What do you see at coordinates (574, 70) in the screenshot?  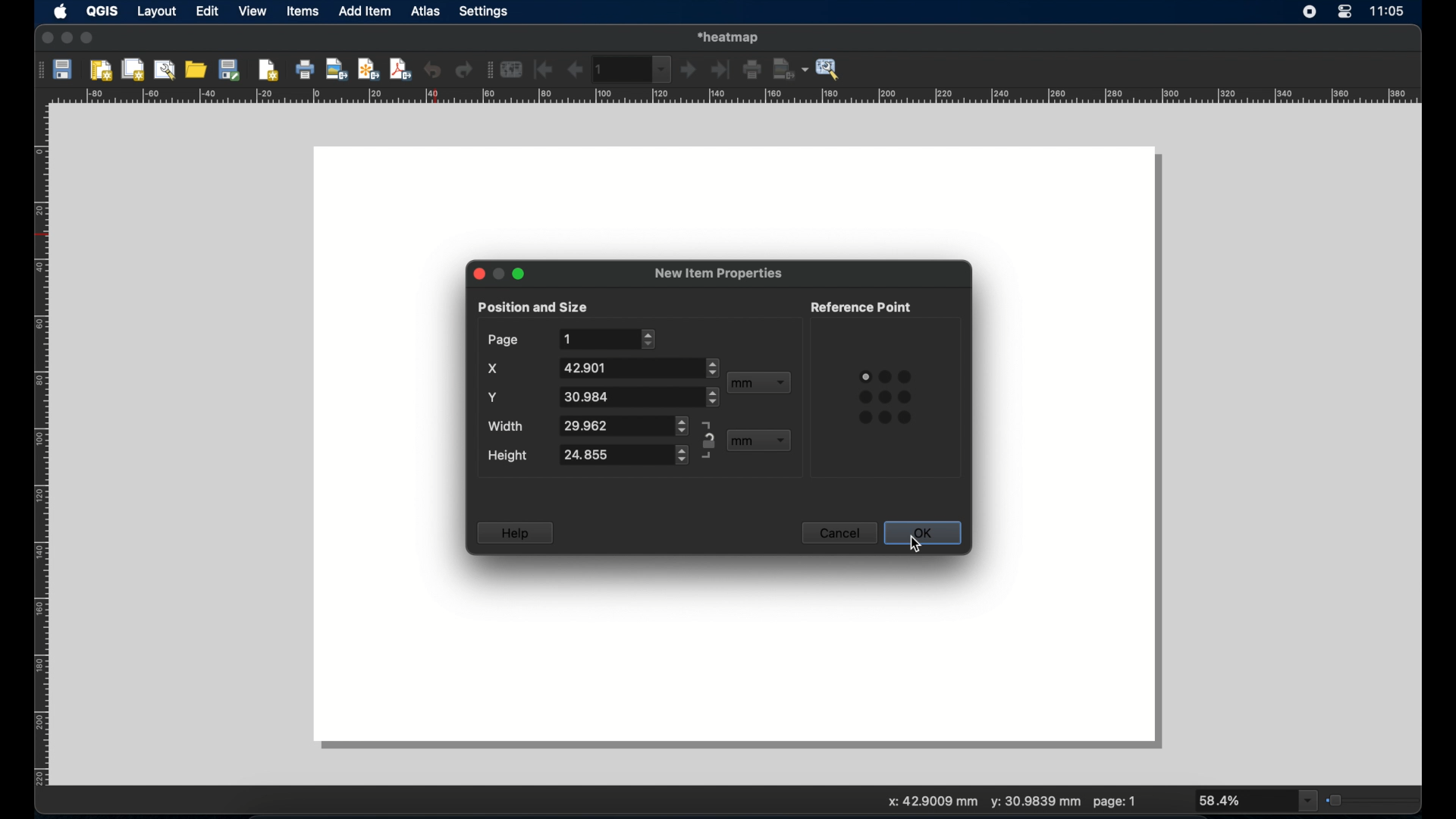 I see `previous feature` at bounding box center [574, 70].